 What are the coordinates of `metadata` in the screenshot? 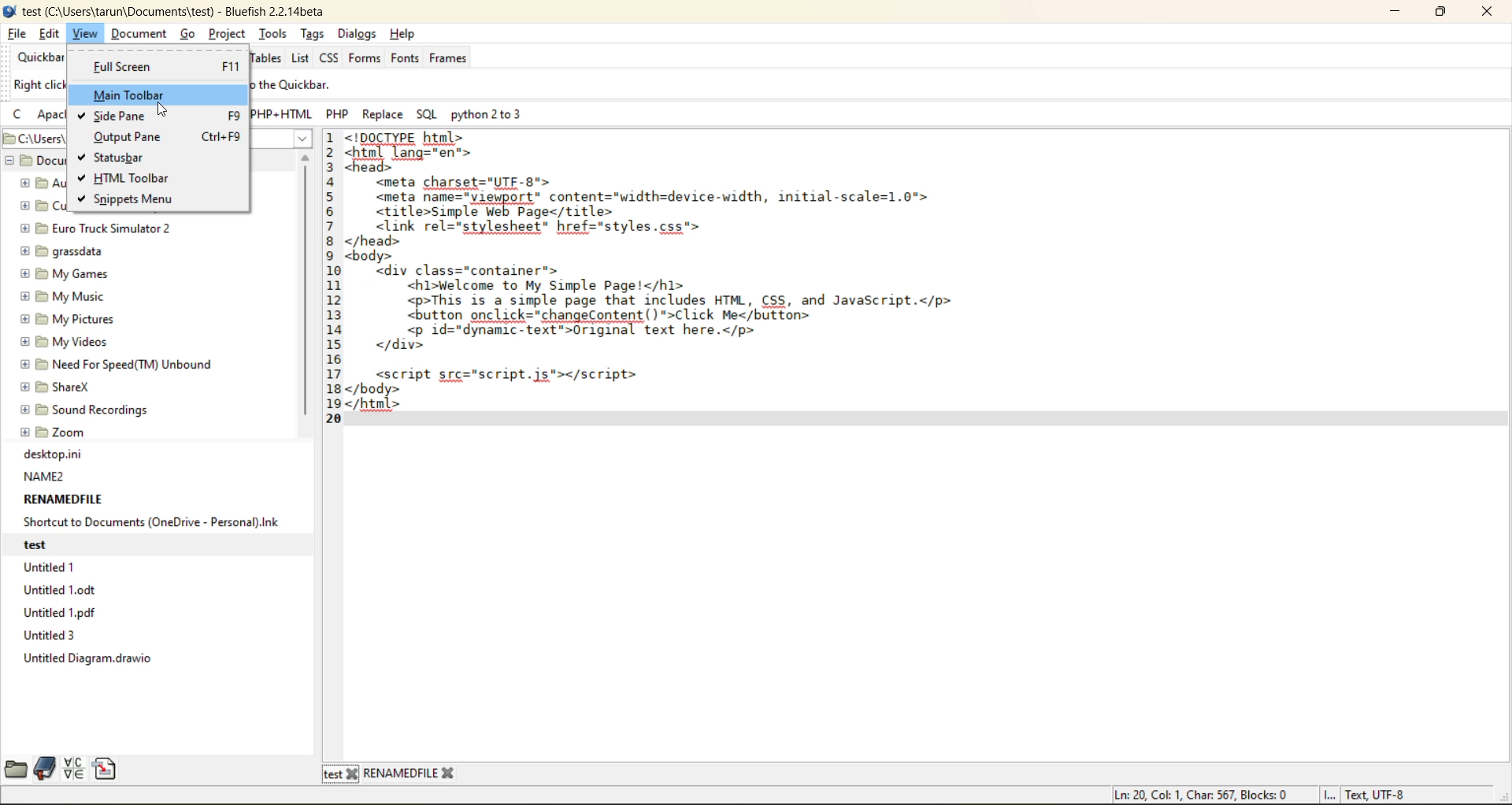 It's located at (1262, 792).